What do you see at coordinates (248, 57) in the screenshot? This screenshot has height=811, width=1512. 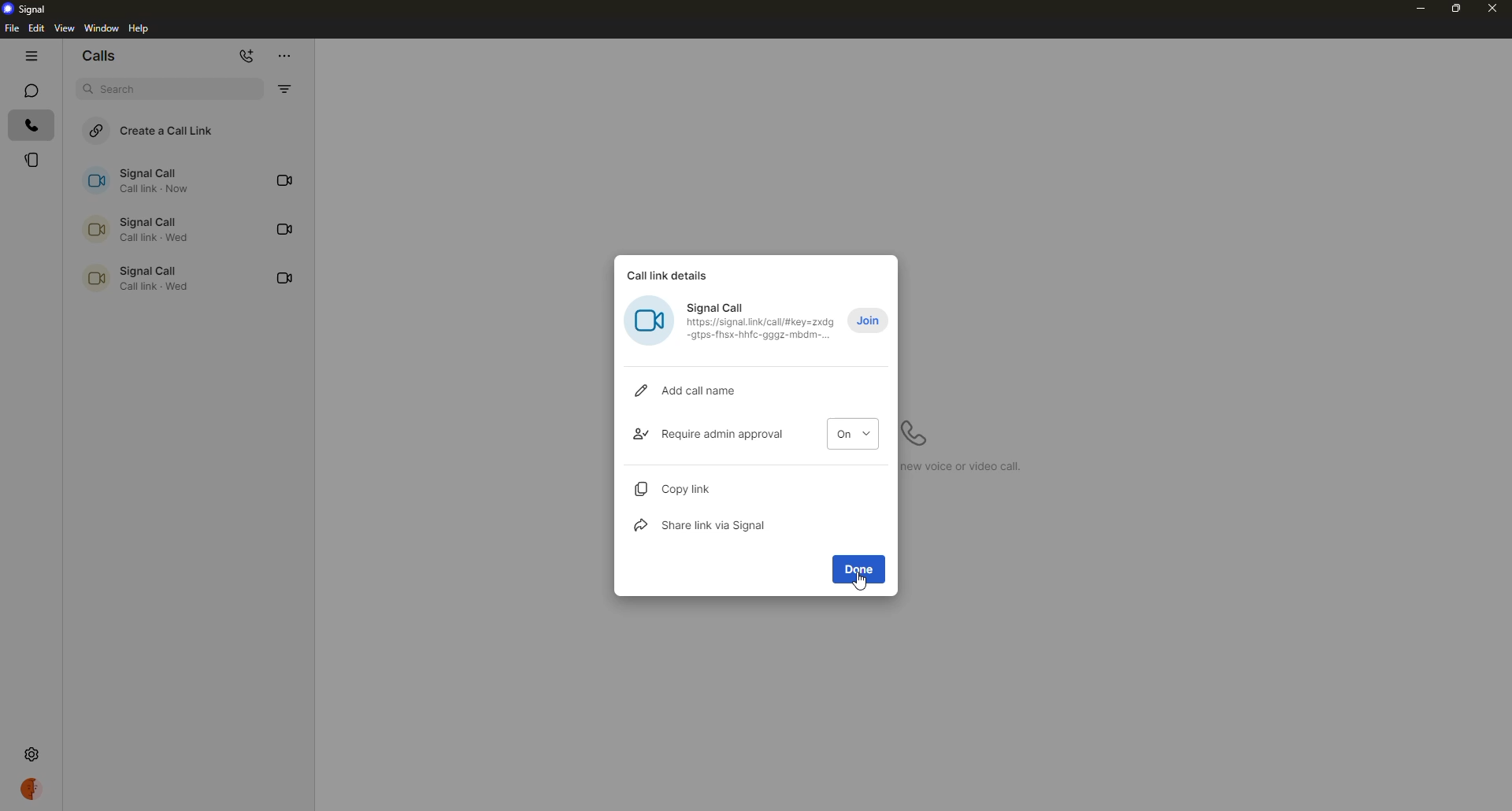 I see `new call` at bounding box center [248, 57].